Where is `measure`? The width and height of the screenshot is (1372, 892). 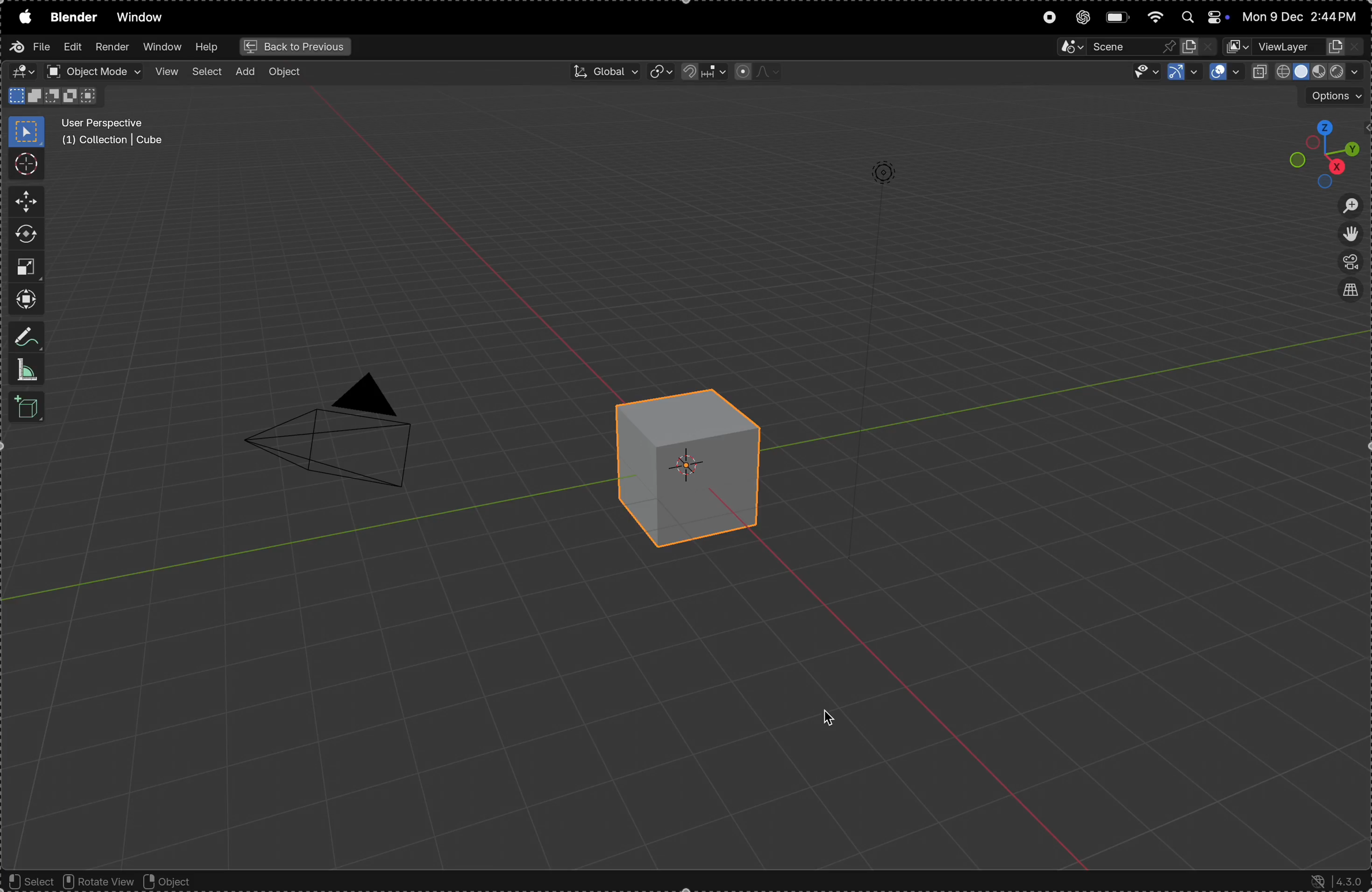
measure is located at coordinates (24, 369).